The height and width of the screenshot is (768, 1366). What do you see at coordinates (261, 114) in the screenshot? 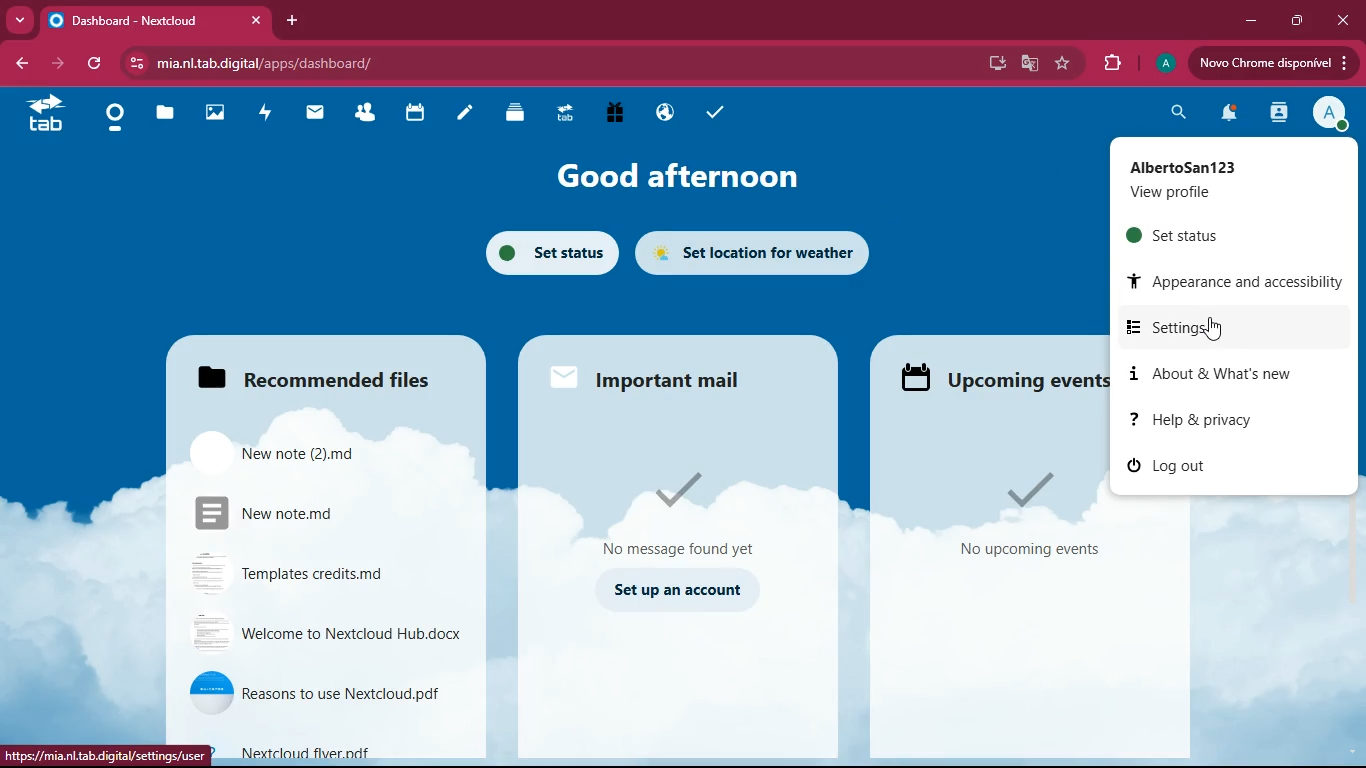
I see `activity` at bounding box center [261, 114].